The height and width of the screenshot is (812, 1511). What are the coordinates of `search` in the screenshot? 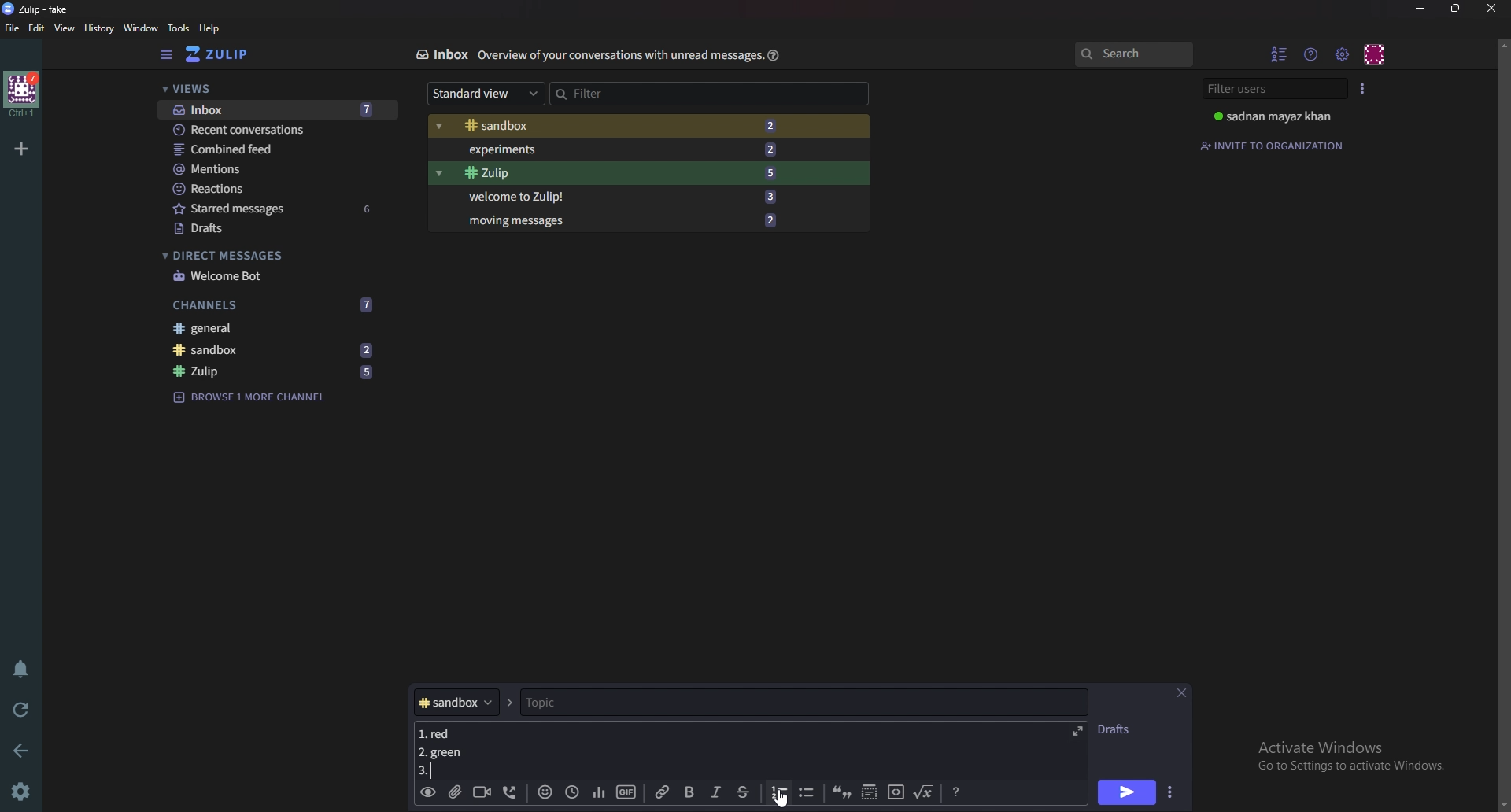 It's located at (1133, 55).